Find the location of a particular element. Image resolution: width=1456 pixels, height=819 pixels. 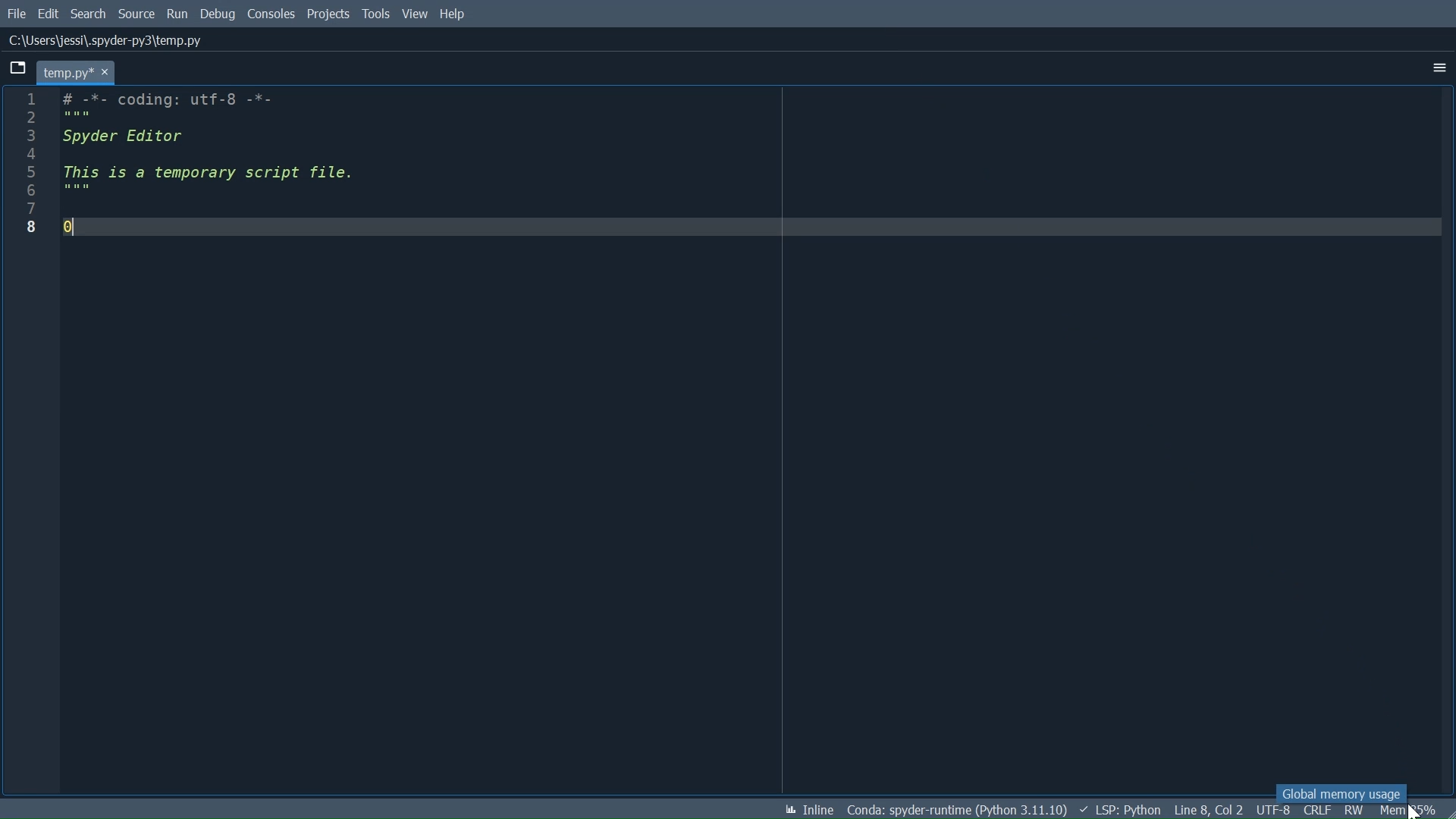

Toggle between inline and interactive Matplotlib plotting is located at coordinates (807, 808).